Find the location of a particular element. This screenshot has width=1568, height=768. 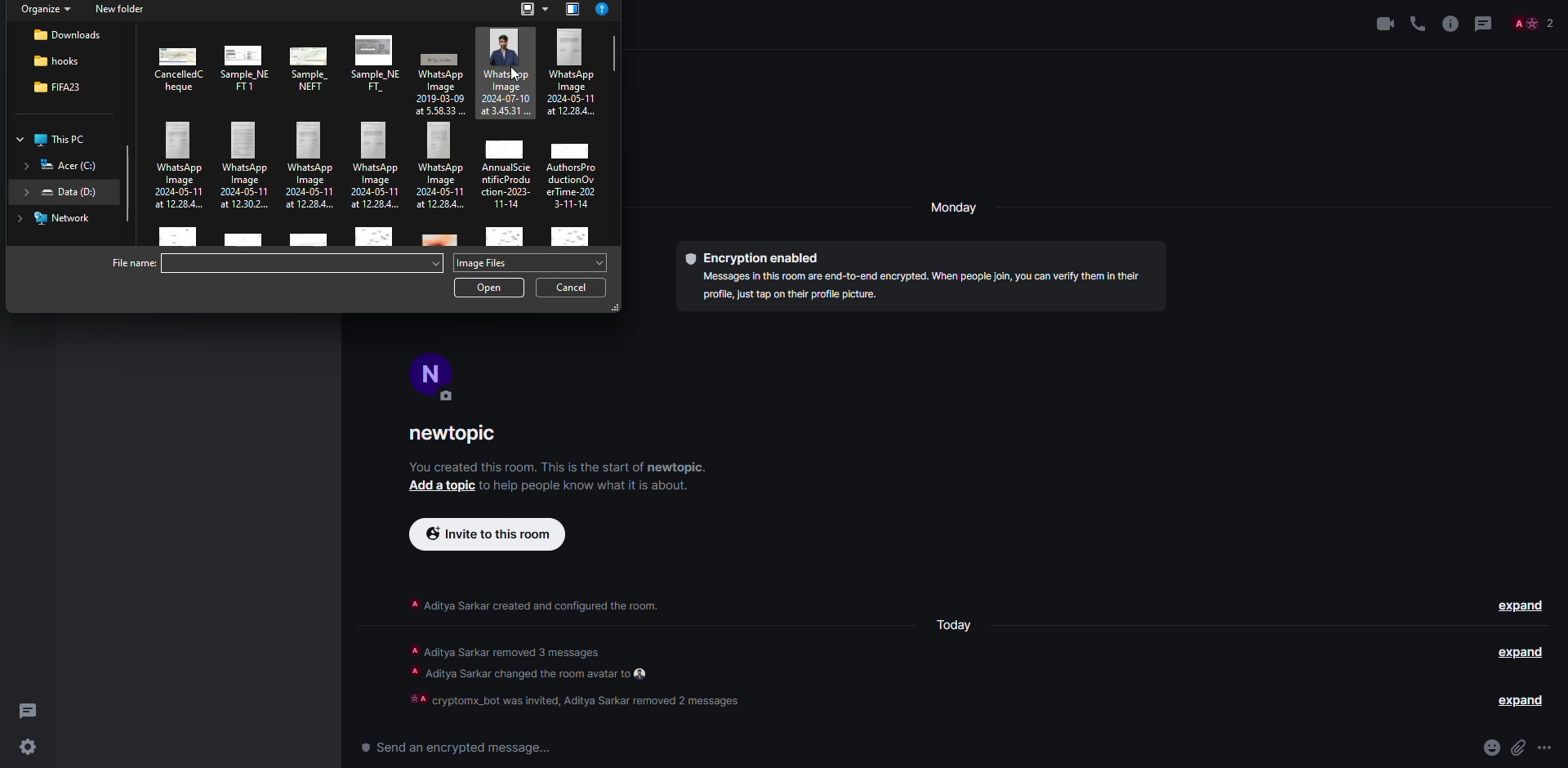

location is located at coordinates (59, 218).